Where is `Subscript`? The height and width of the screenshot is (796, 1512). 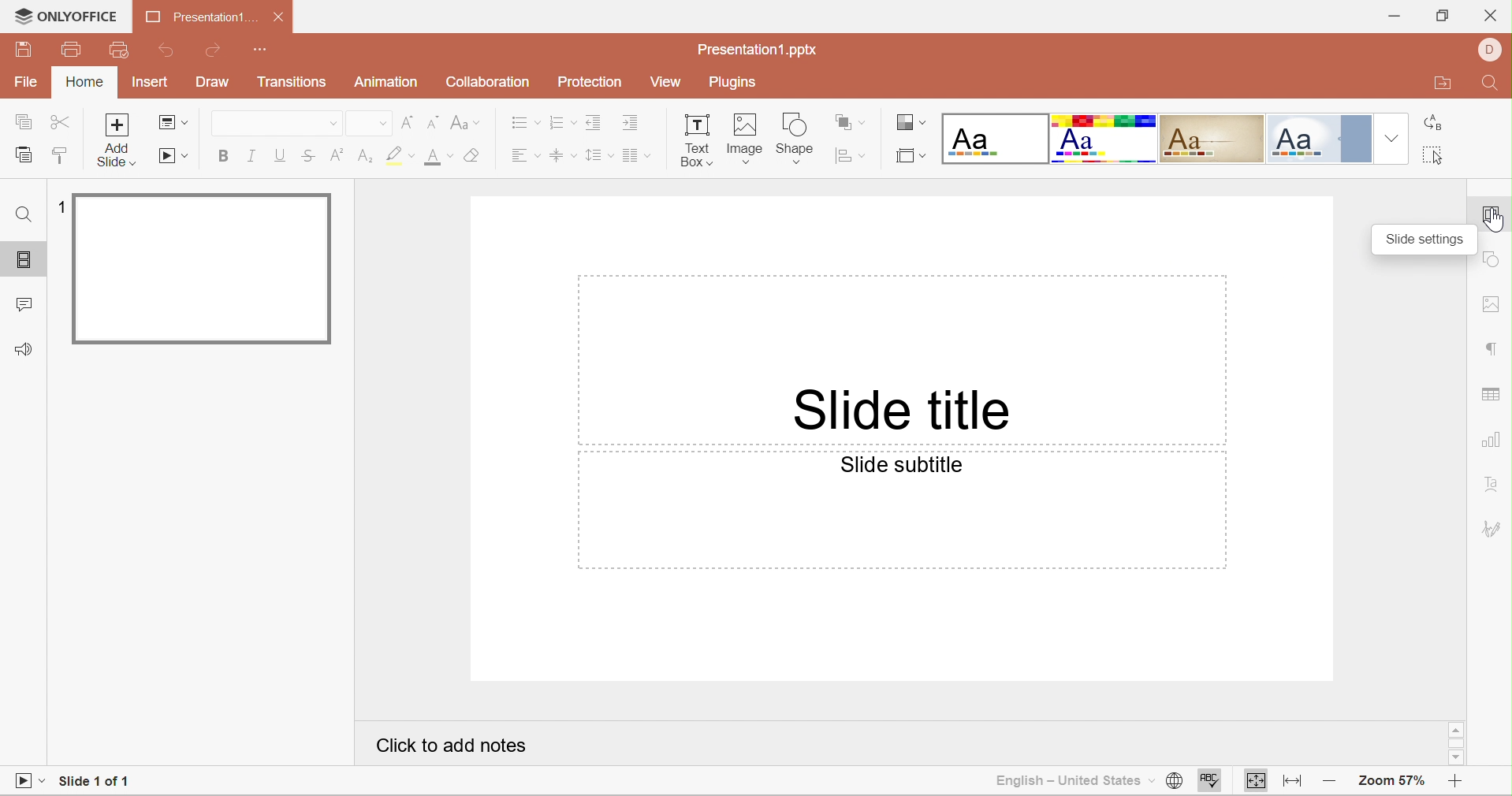
Subscript is located at coordinates (367, 158).